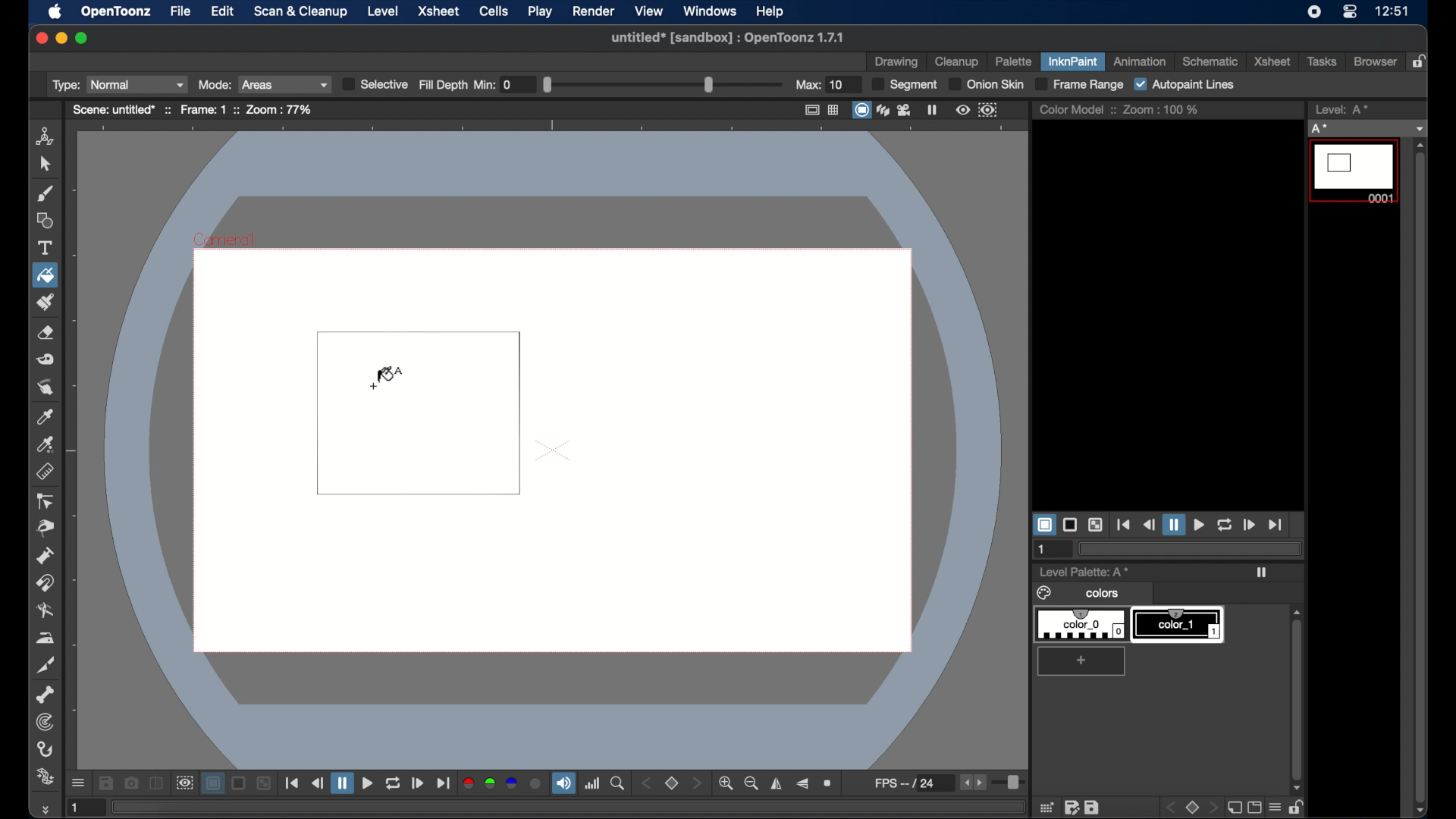 This screenshot has width=1456, height=819. I want to click on 1, so click(83, 807).